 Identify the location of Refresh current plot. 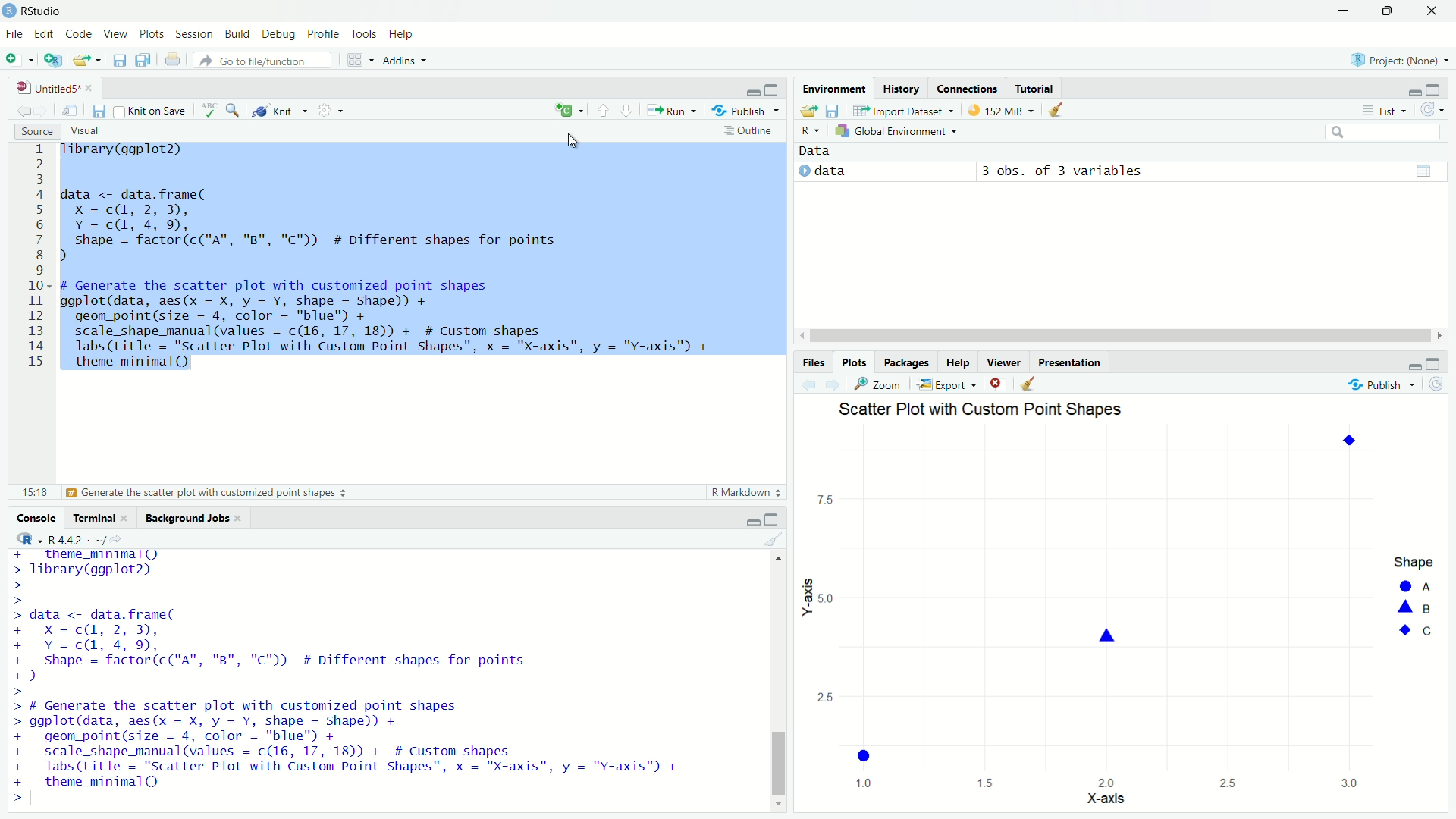
(1437, 384).